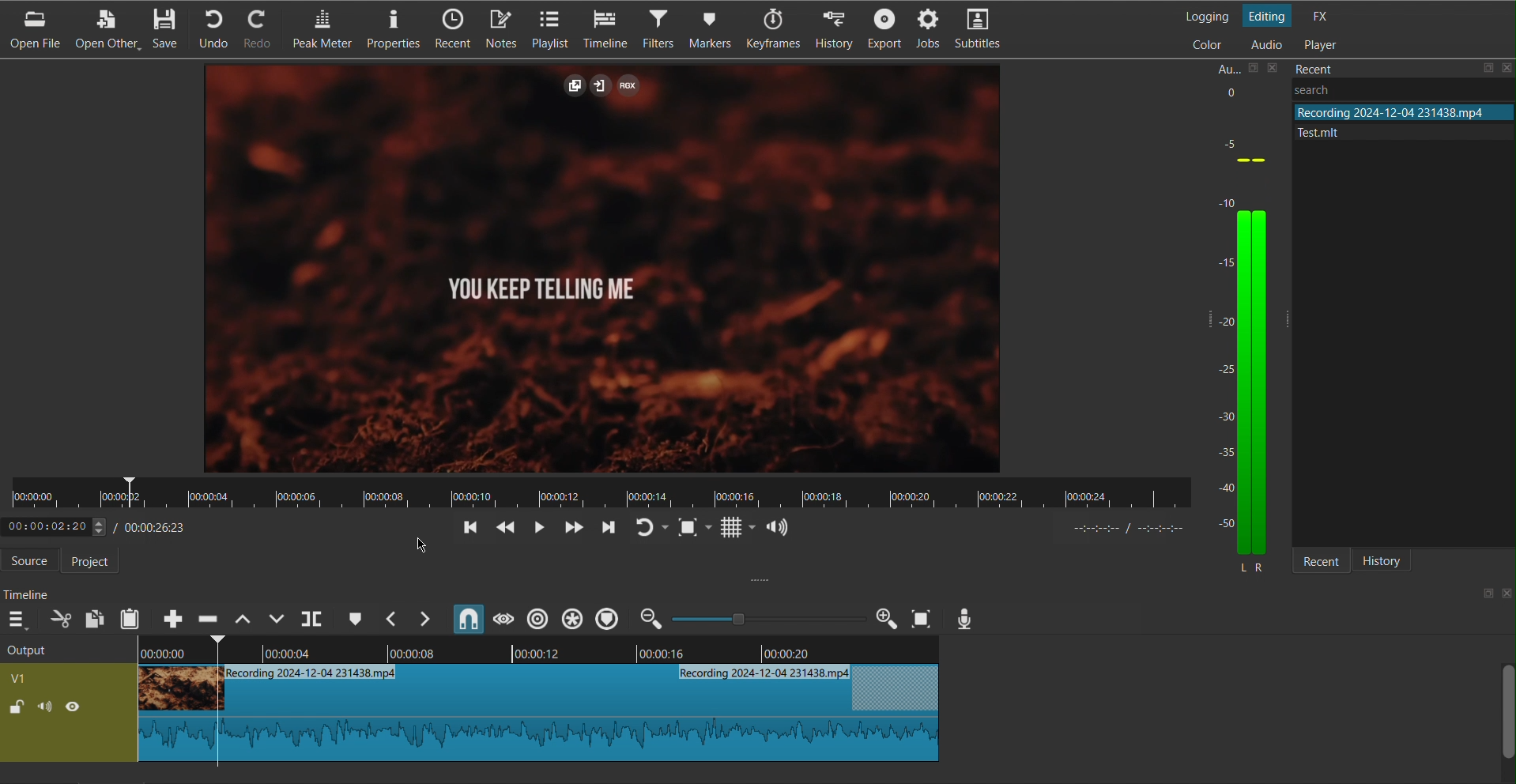  I want to click on Next Marker, so click(428, 619).